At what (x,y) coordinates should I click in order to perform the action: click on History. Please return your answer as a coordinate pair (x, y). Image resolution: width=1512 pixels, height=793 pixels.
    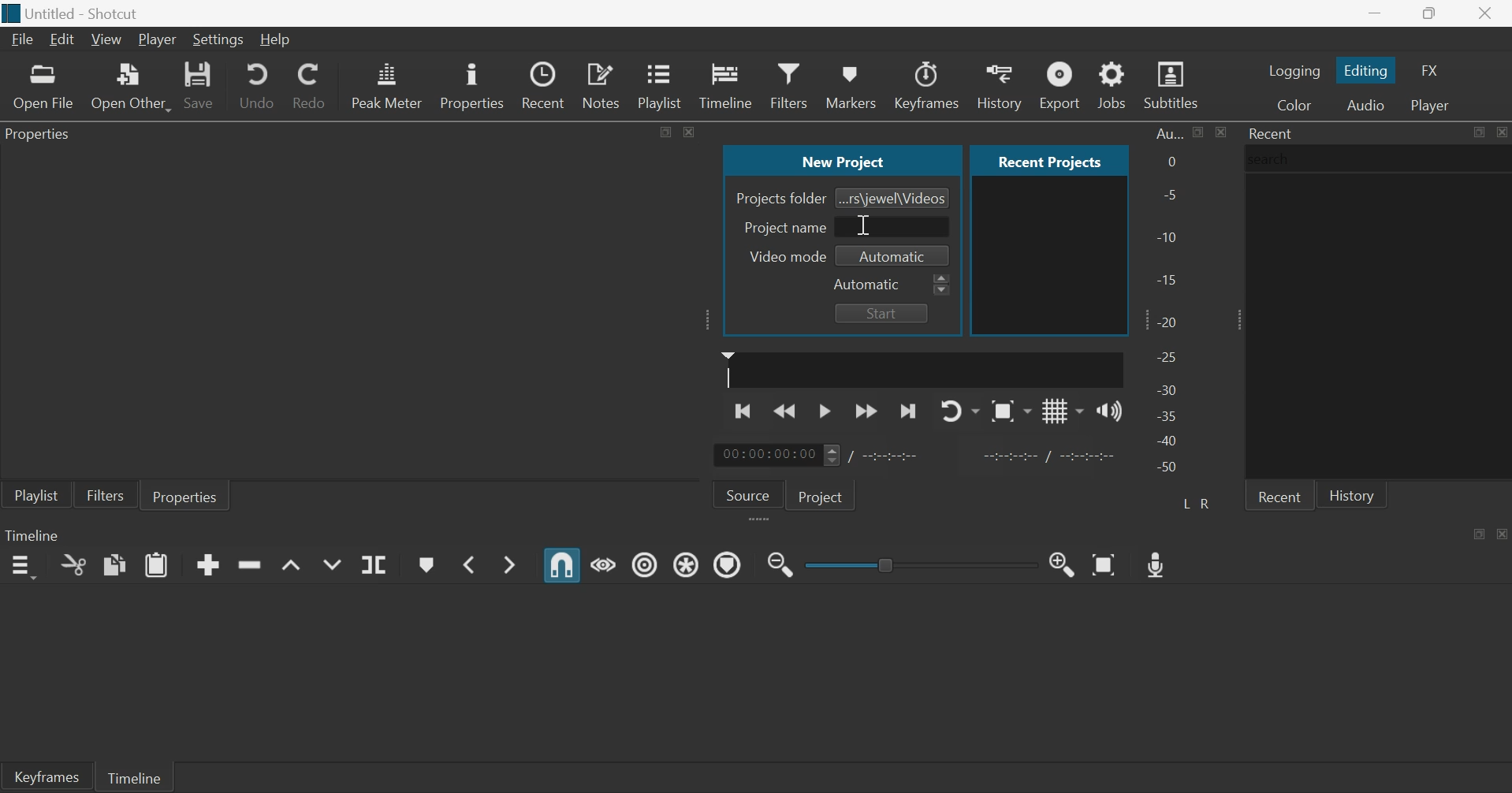
    Looking at the image, I should click on (998, 85).